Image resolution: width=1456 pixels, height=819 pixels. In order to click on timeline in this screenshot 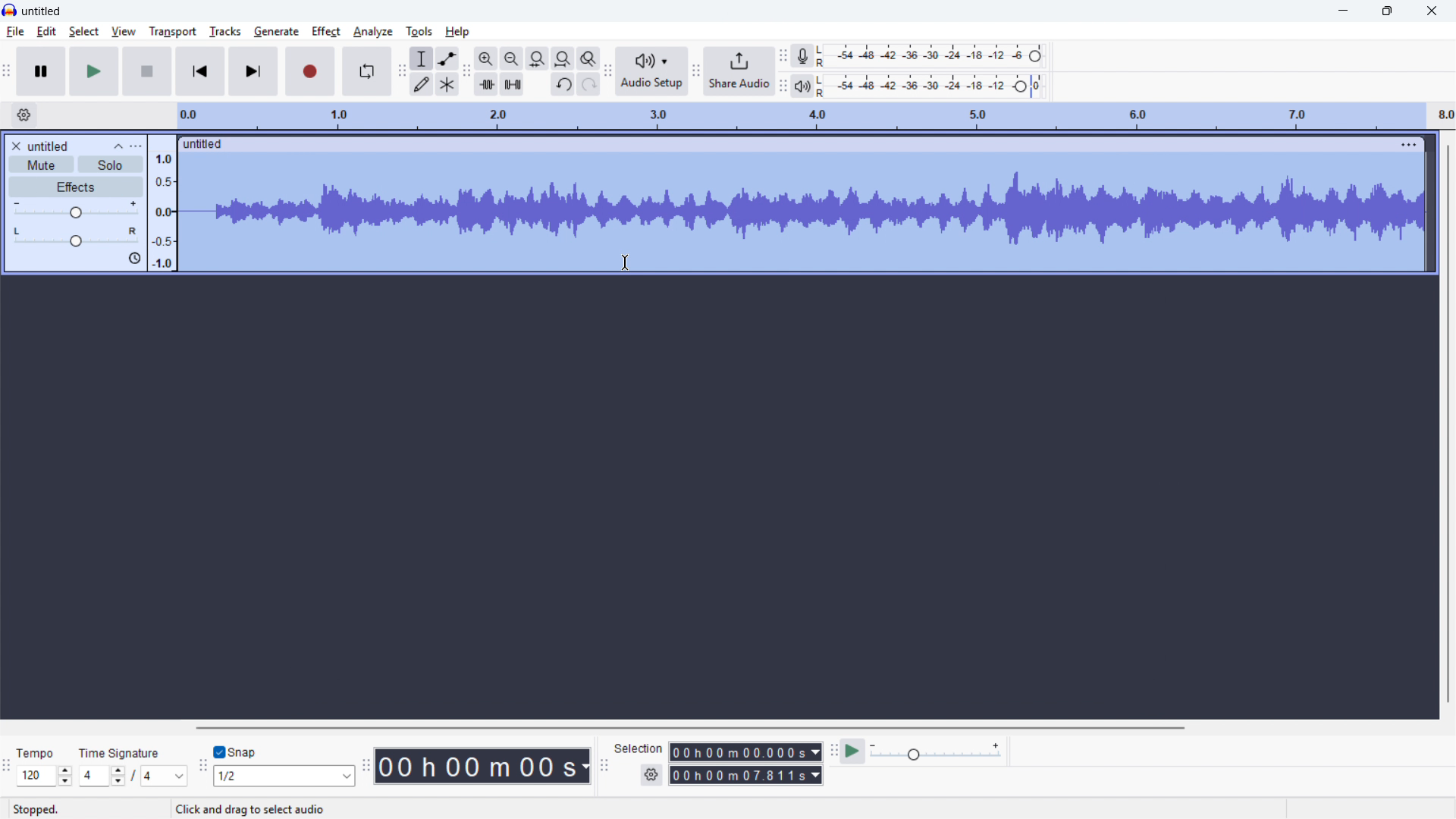, I will do `click(814, 116)`.